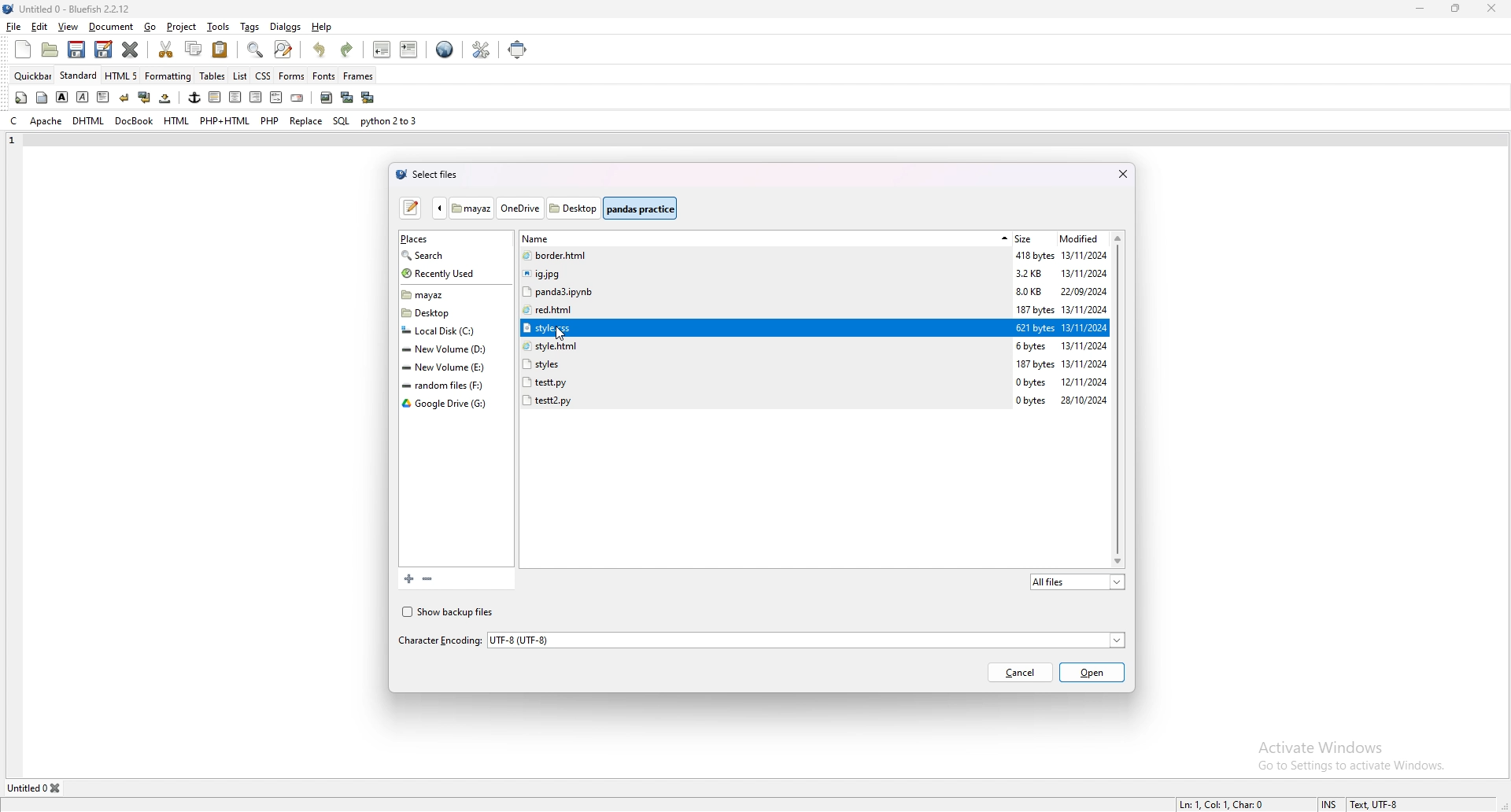  Describe the element at coordinates (112, 27) in the screenshot. I see `document` at that location.